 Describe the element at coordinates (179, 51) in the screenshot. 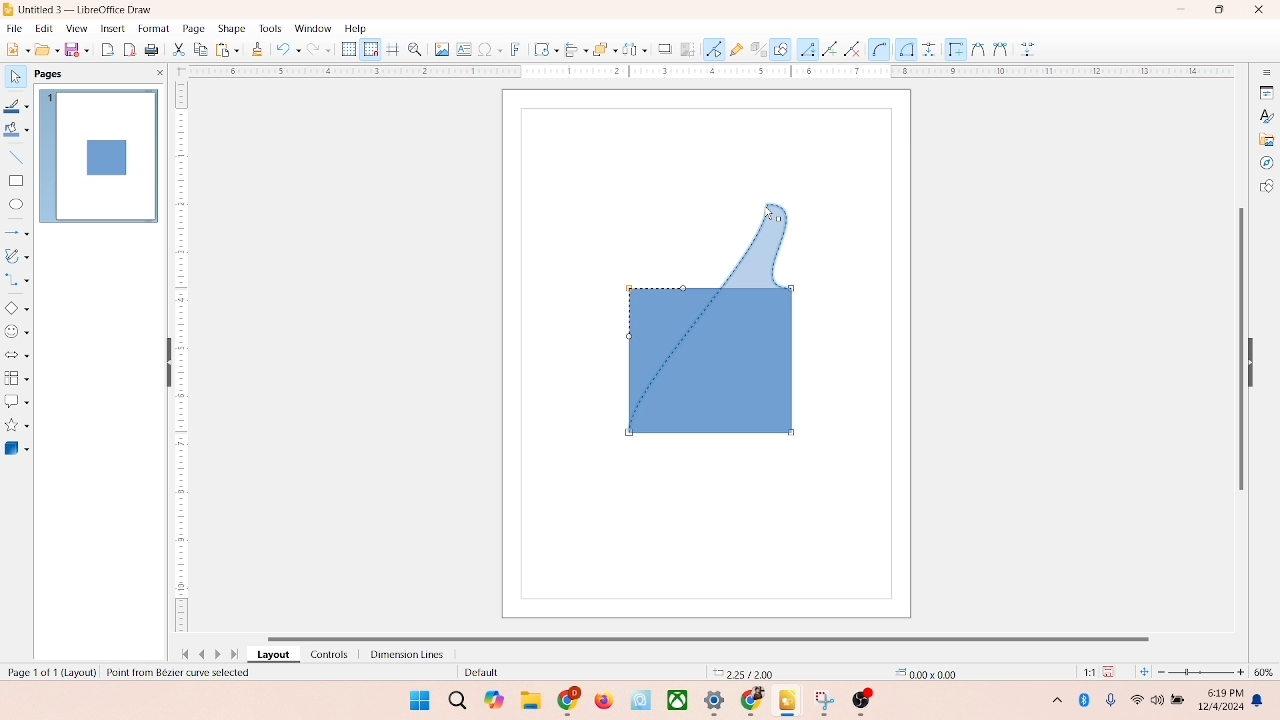

I see `cut` at that location.